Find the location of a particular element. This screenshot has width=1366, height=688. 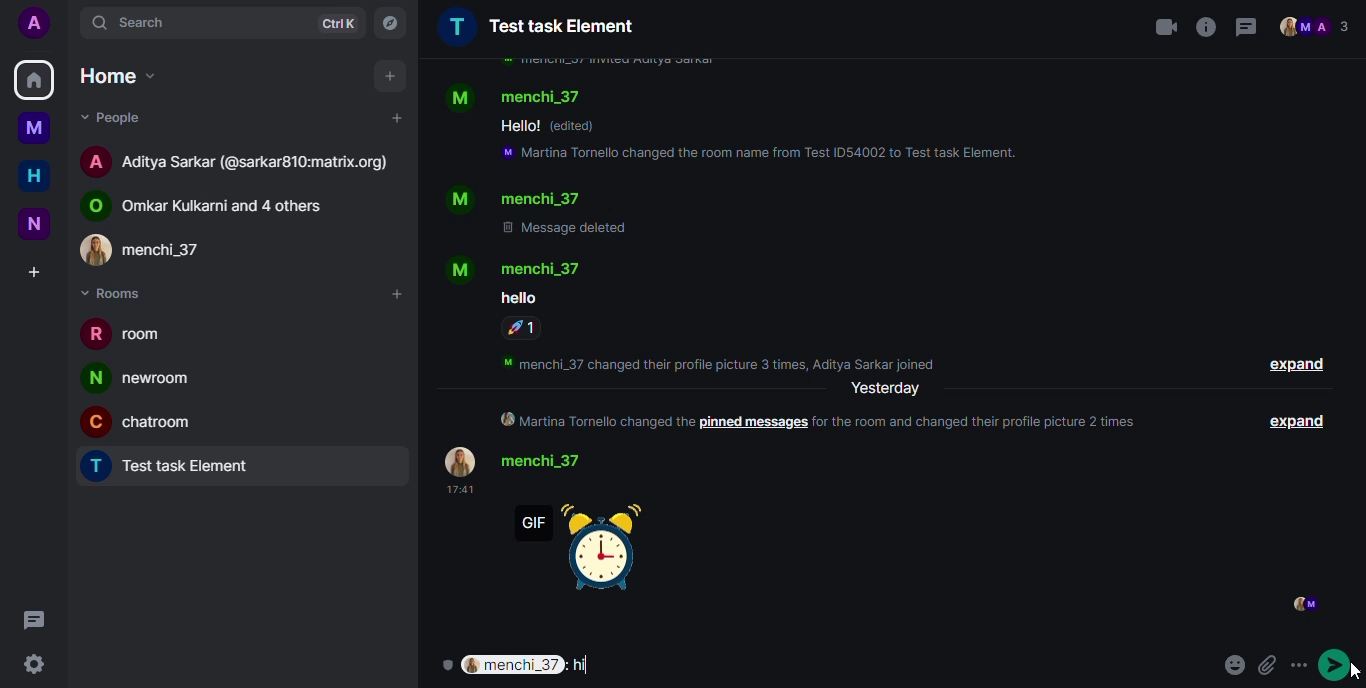

expand is located at coordinates (1301, 421).